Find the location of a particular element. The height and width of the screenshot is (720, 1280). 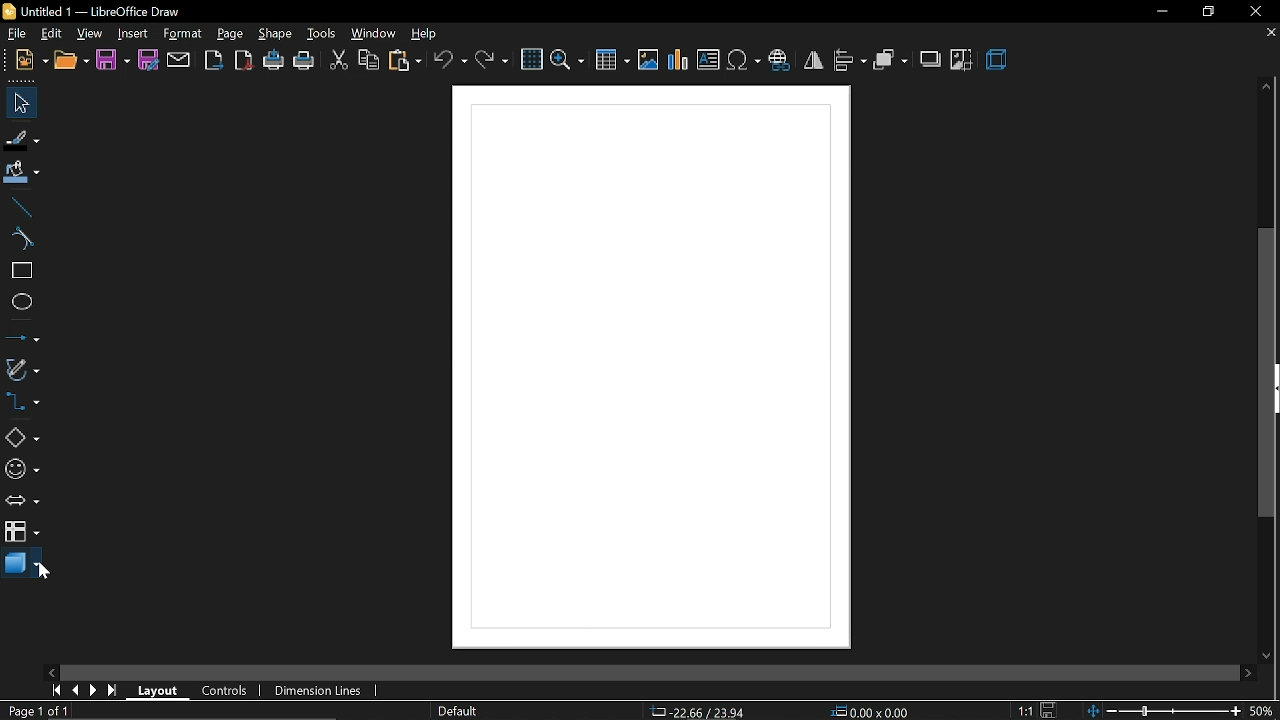

3d shapes is located at coordinates (22, 565).